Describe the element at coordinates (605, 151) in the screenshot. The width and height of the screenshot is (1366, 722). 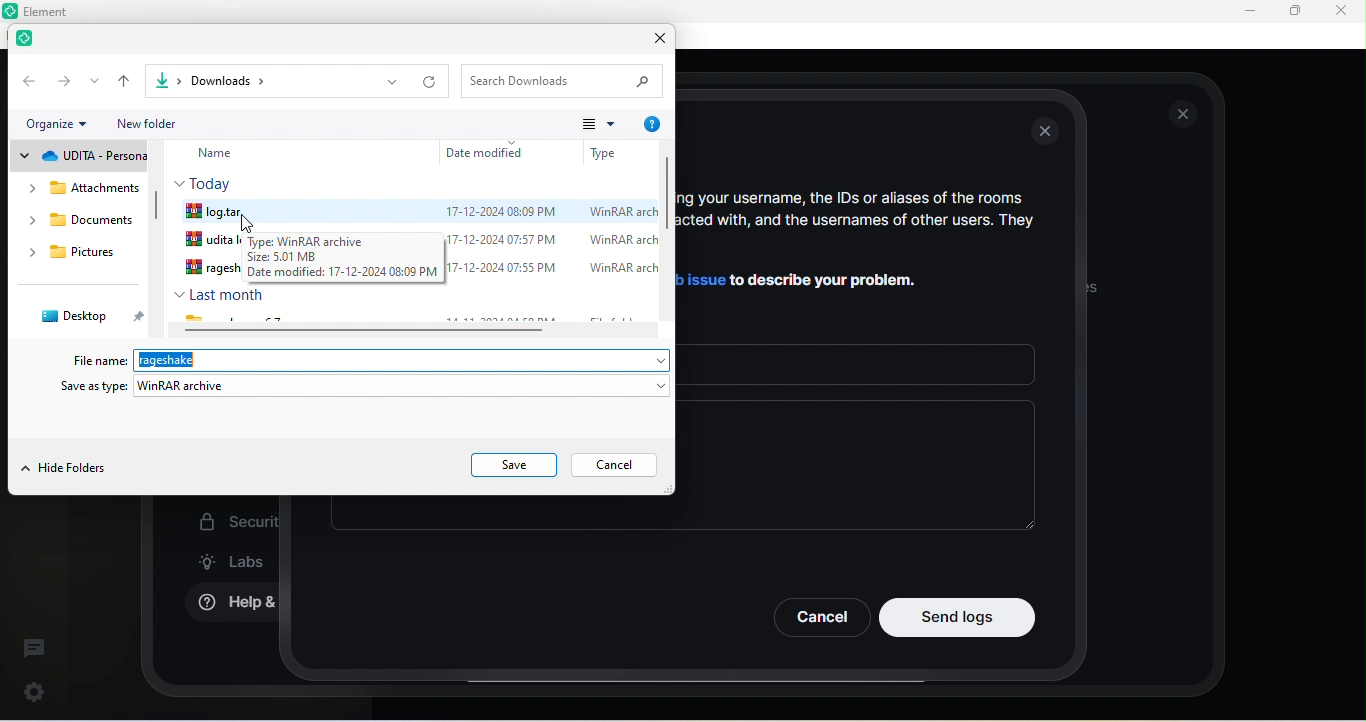
I see `file type ` at that location.